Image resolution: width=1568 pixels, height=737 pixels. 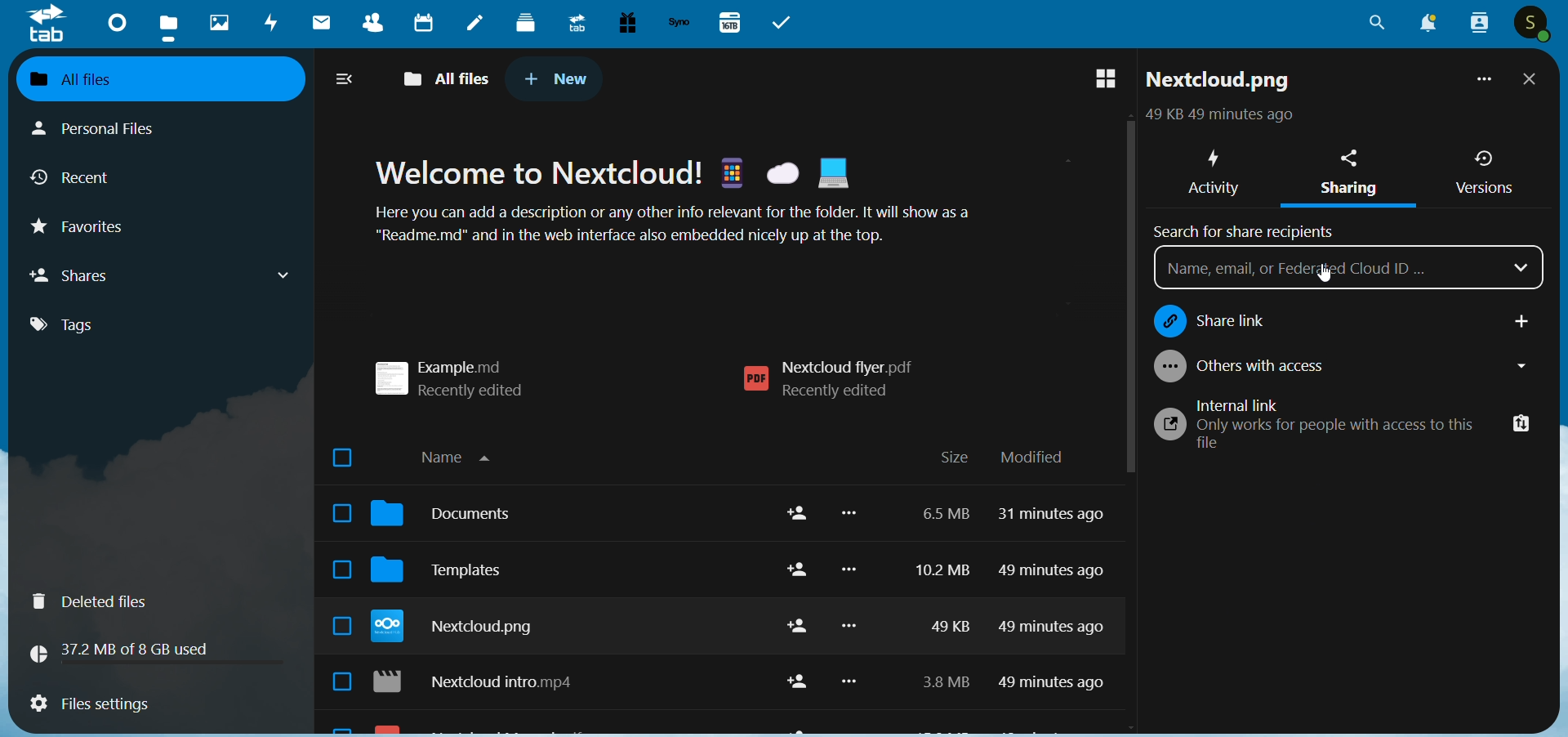 What do you see at coordinates (791, 374) in the screenshot?
I see `nextcloud flyer` at bounding box center [791, 374].